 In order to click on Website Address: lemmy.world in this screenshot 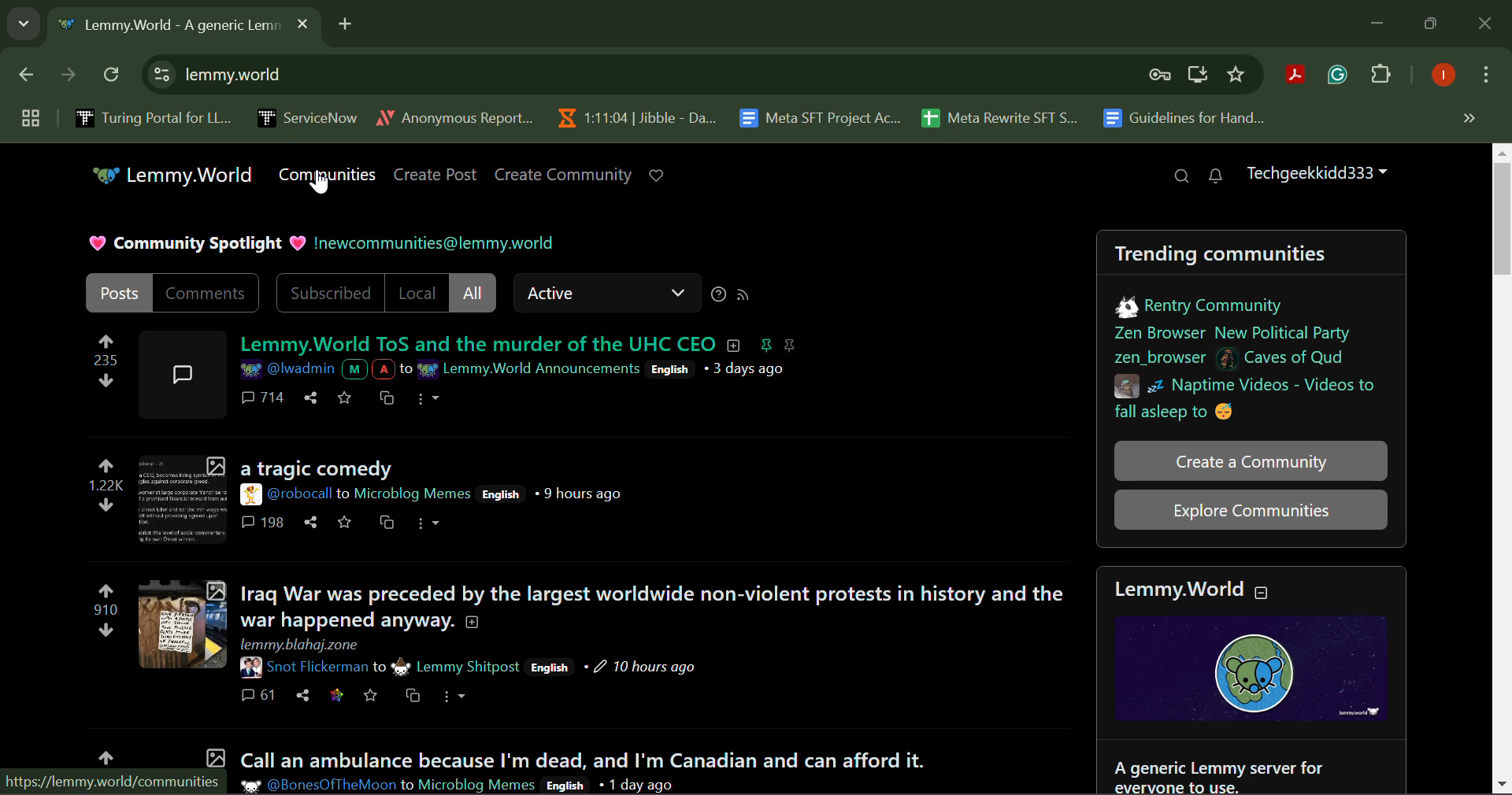, I will do `click(628, 76)`.